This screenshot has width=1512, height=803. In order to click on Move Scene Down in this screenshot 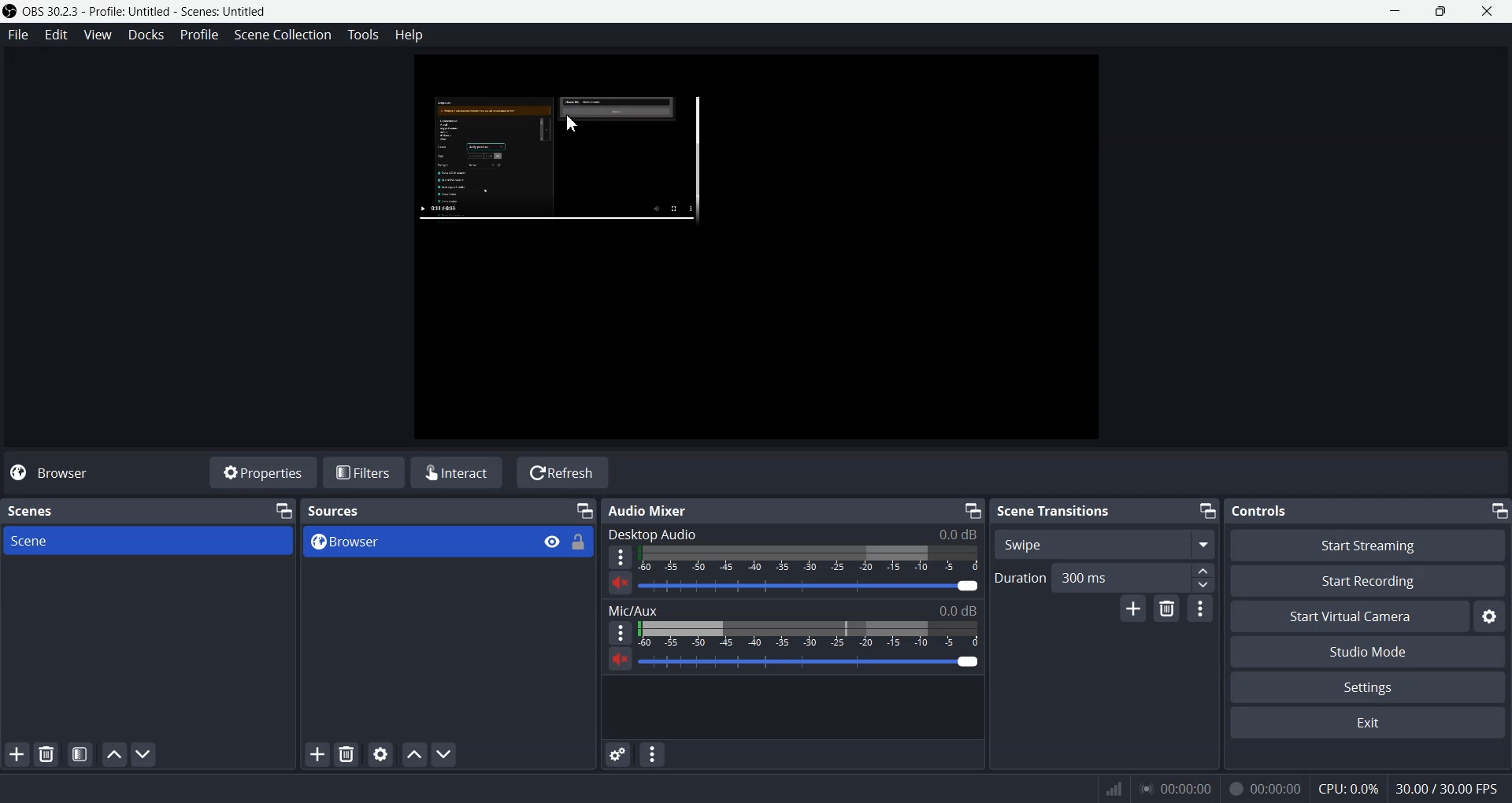, I will do `click(145, 754)`.